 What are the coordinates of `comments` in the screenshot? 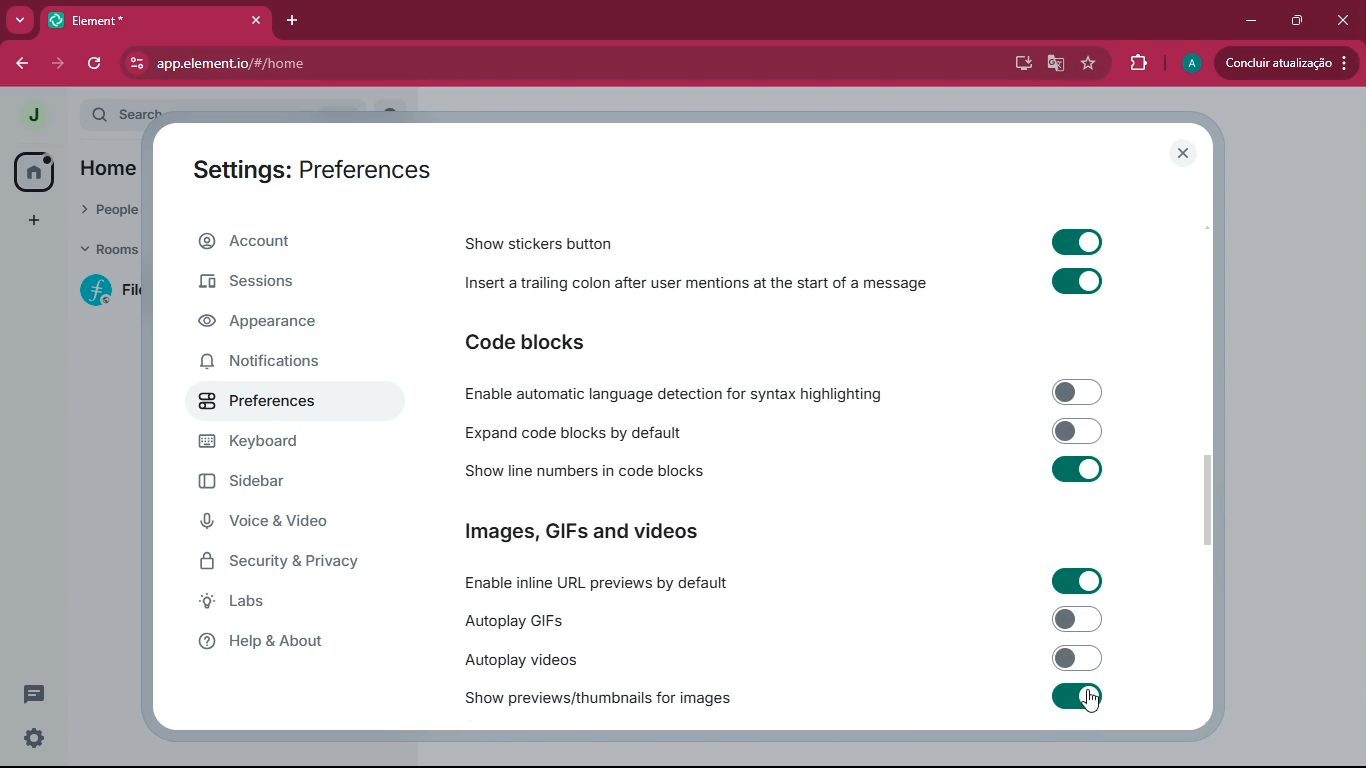 It's located at (37, 692).